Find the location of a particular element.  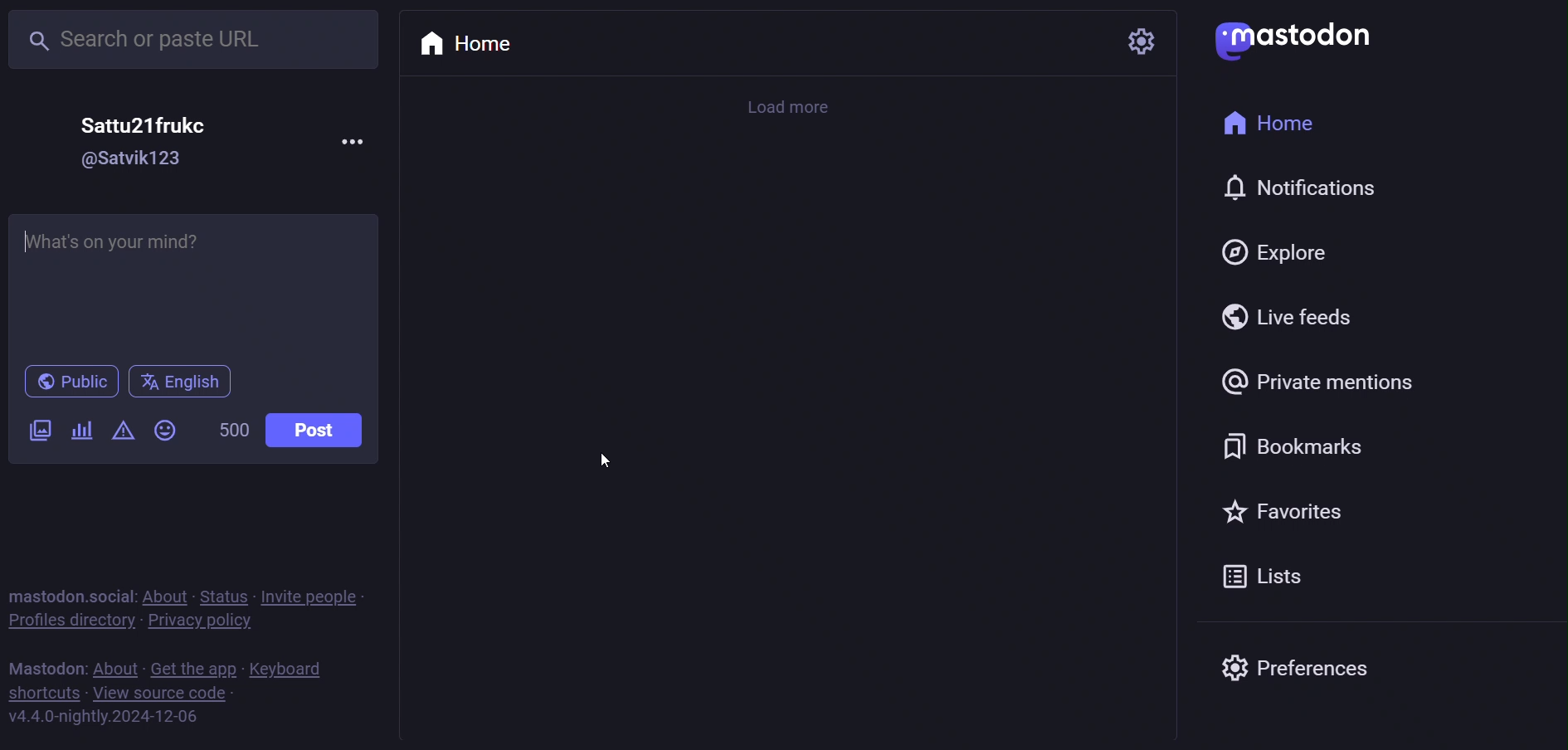

version is located at coordinates (100, 720).